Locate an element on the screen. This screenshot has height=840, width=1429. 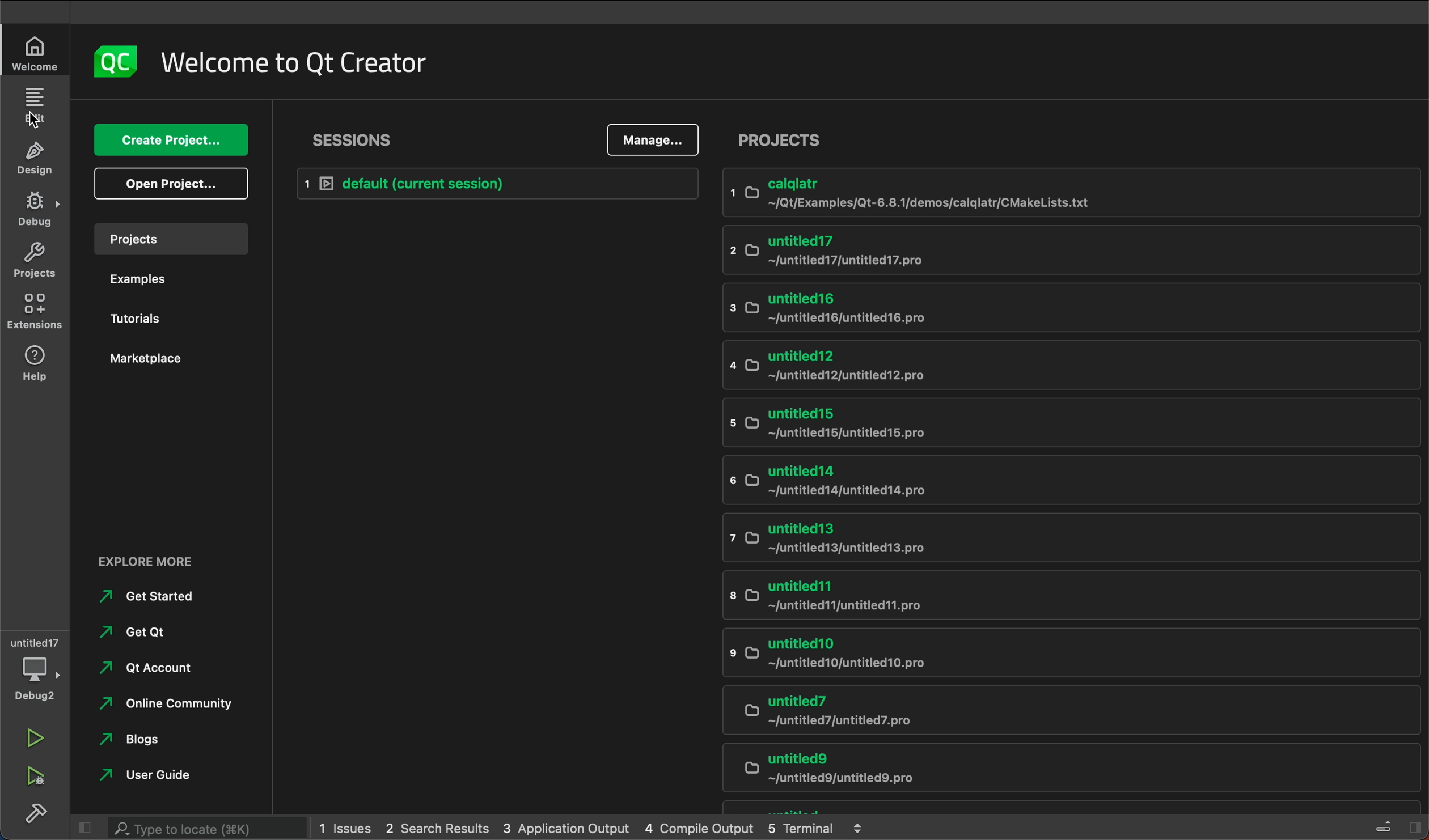
untitled15 is located at coordinates (1037, 426).